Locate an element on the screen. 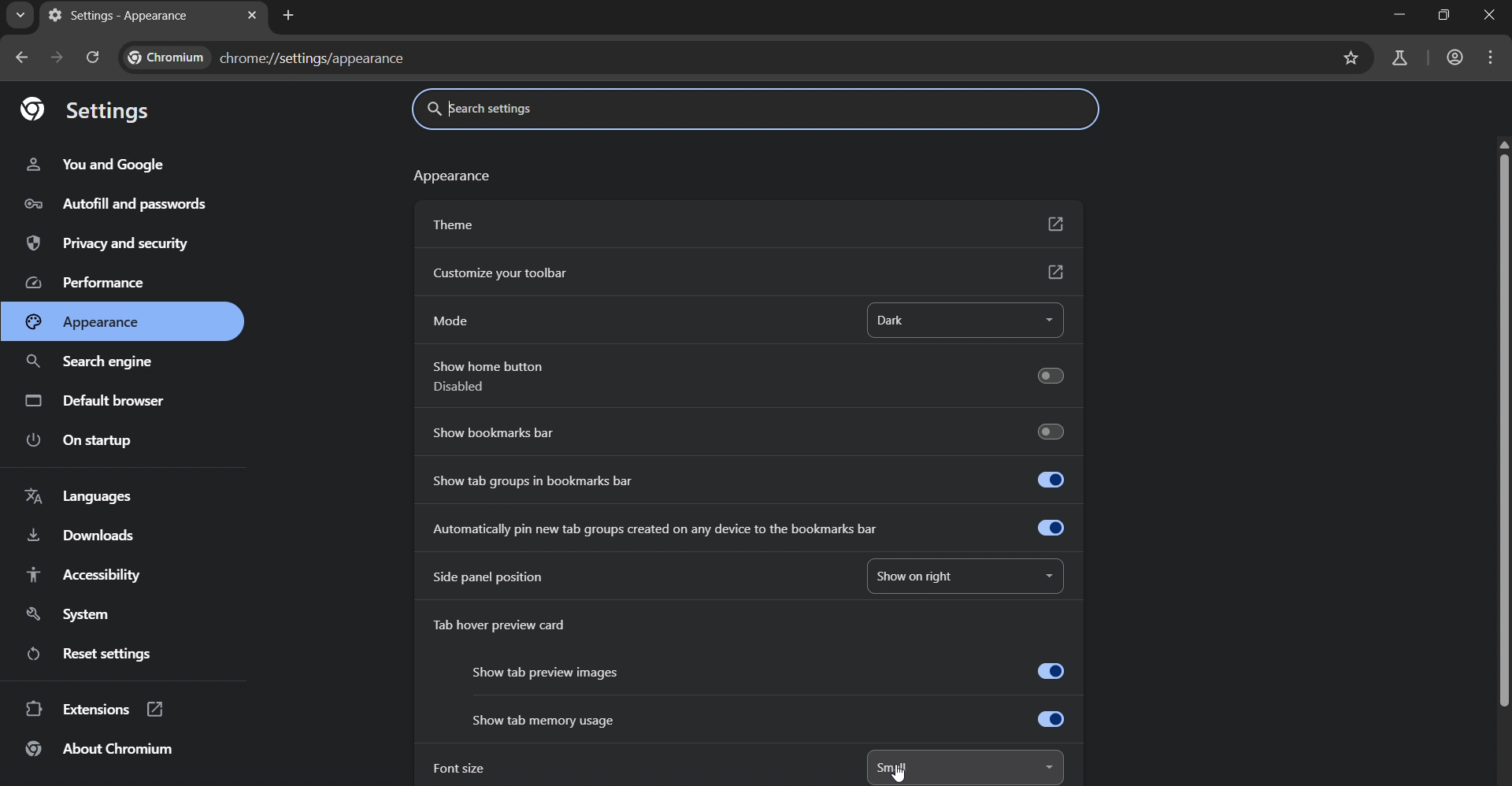  system is located at coordinates (68, 614).